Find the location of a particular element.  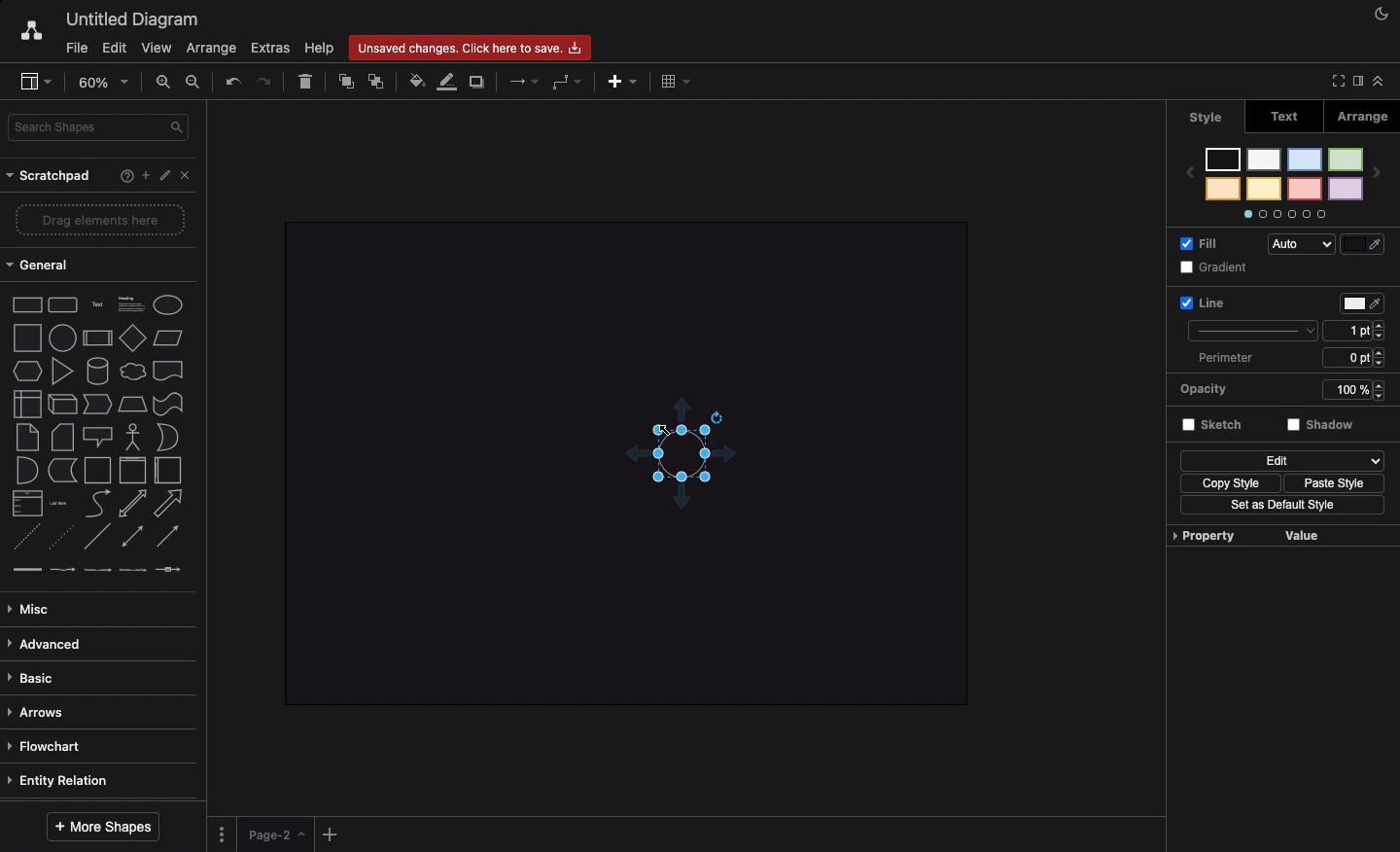

Text  is located at coordinates (1286, 115).